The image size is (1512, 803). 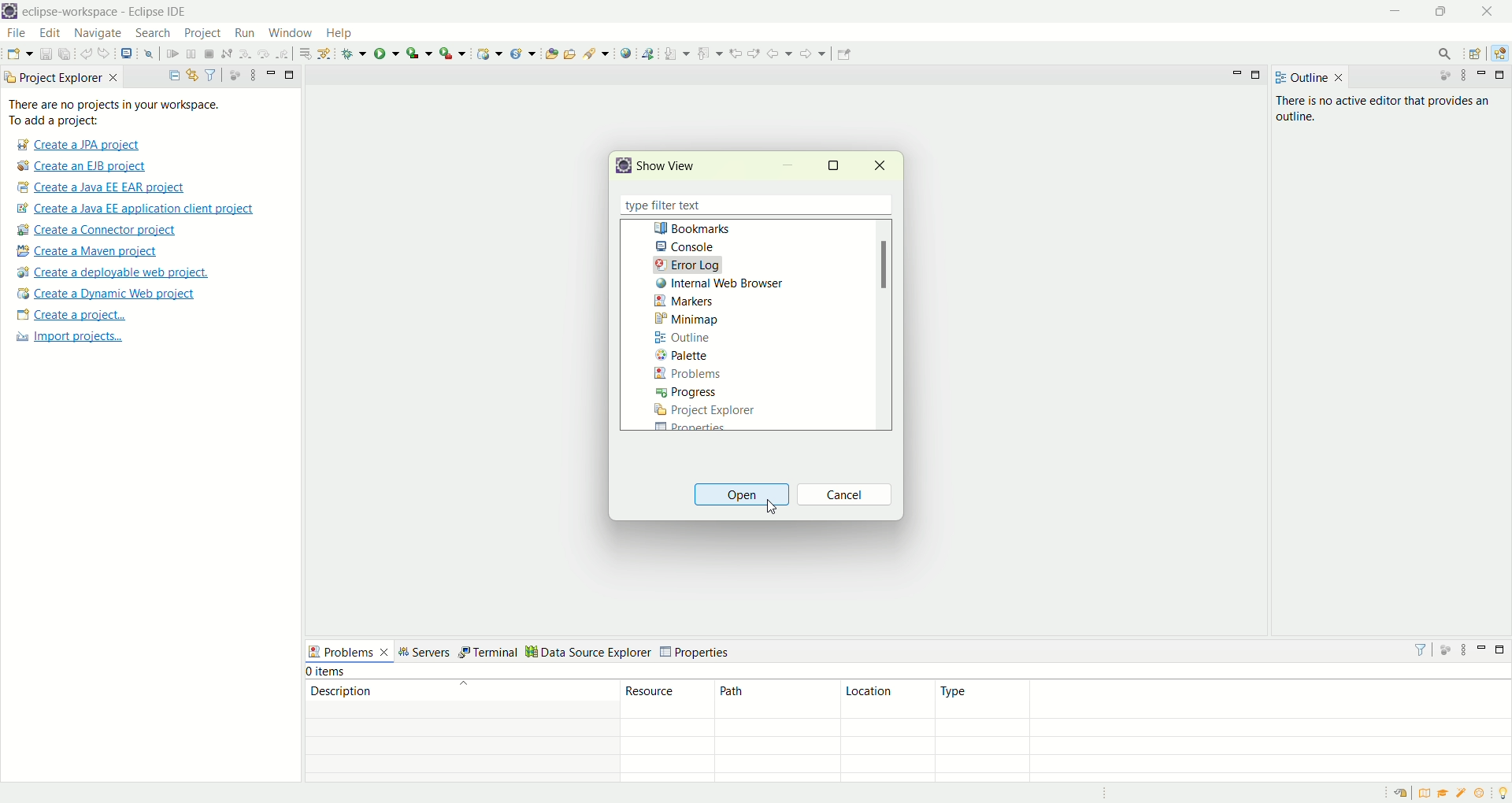 What do you see at coordinates (1310, 77) in the screenshot?
I see `outline` at bounding box center [1310, 77].